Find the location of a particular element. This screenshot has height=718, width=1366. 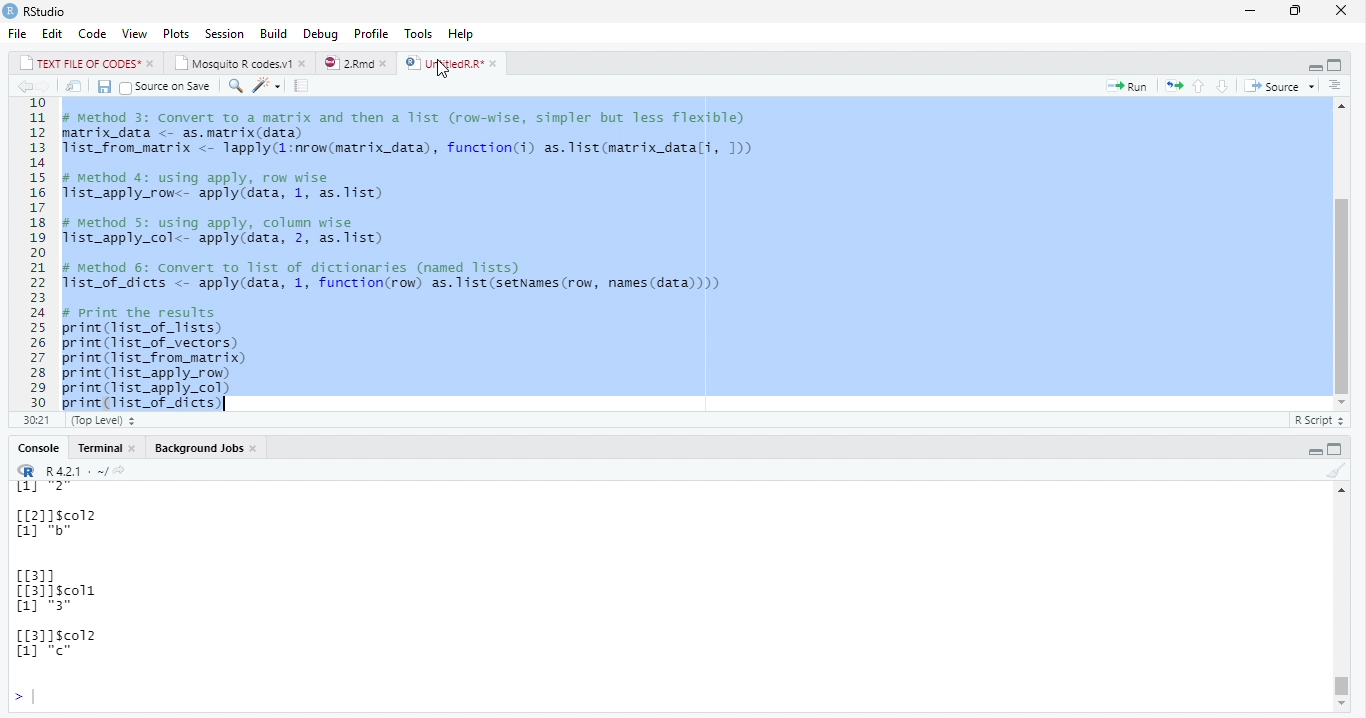

Full Height is located at coordinates (1338, 447).